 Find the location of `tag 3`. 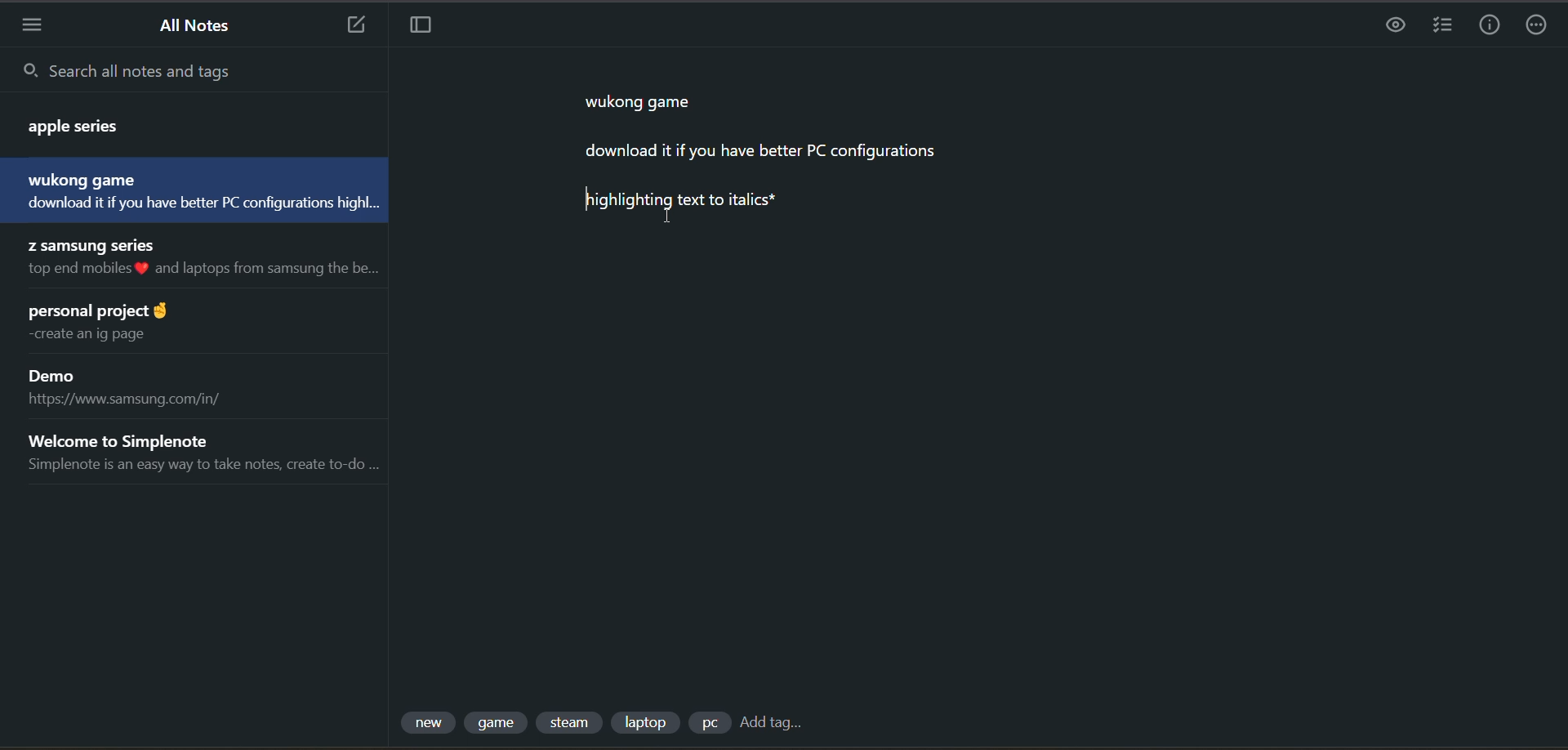

tag 3 is located at coordinates (572, 723).